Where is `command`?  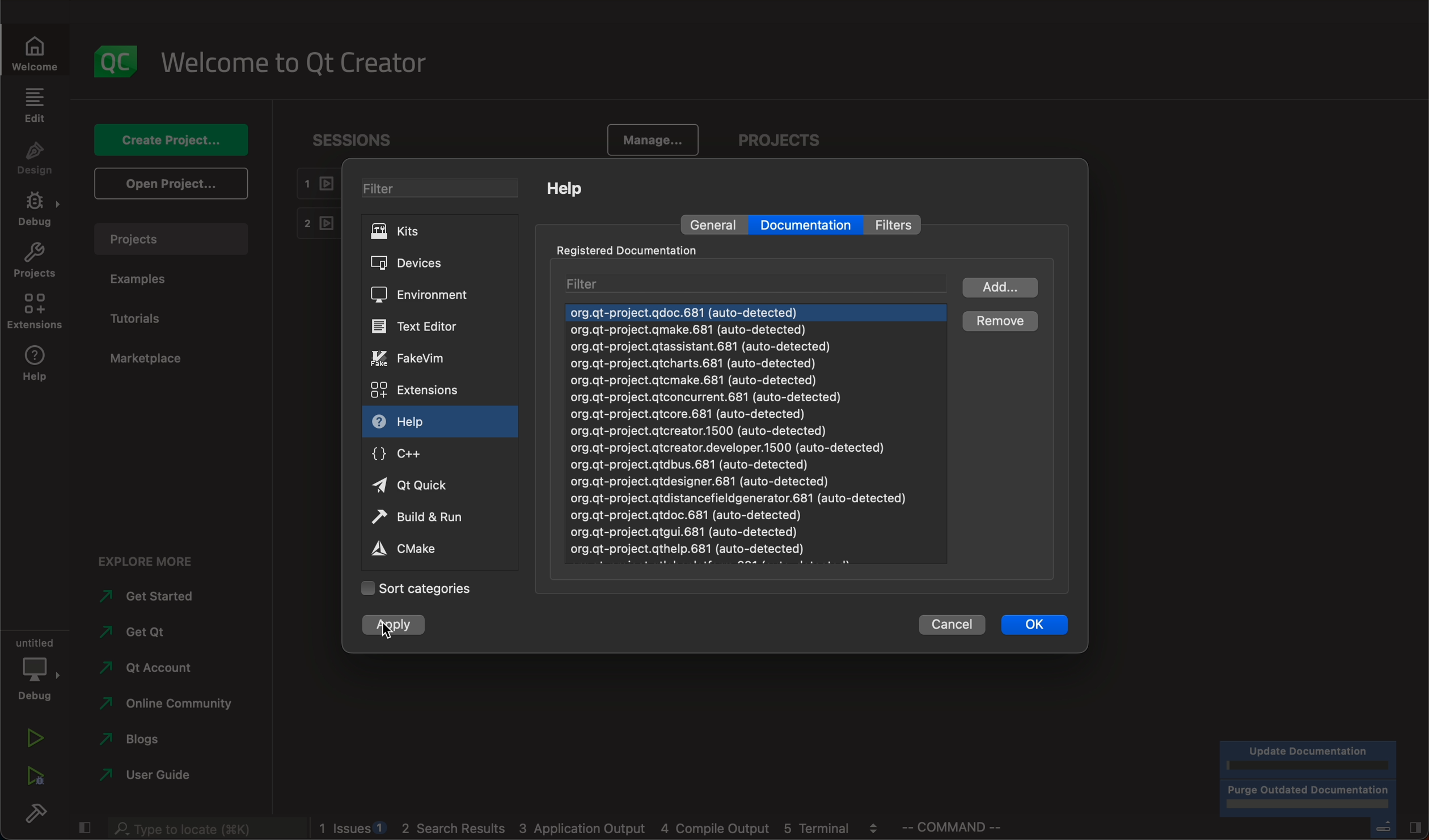 command is located at coordinates (969, 828).